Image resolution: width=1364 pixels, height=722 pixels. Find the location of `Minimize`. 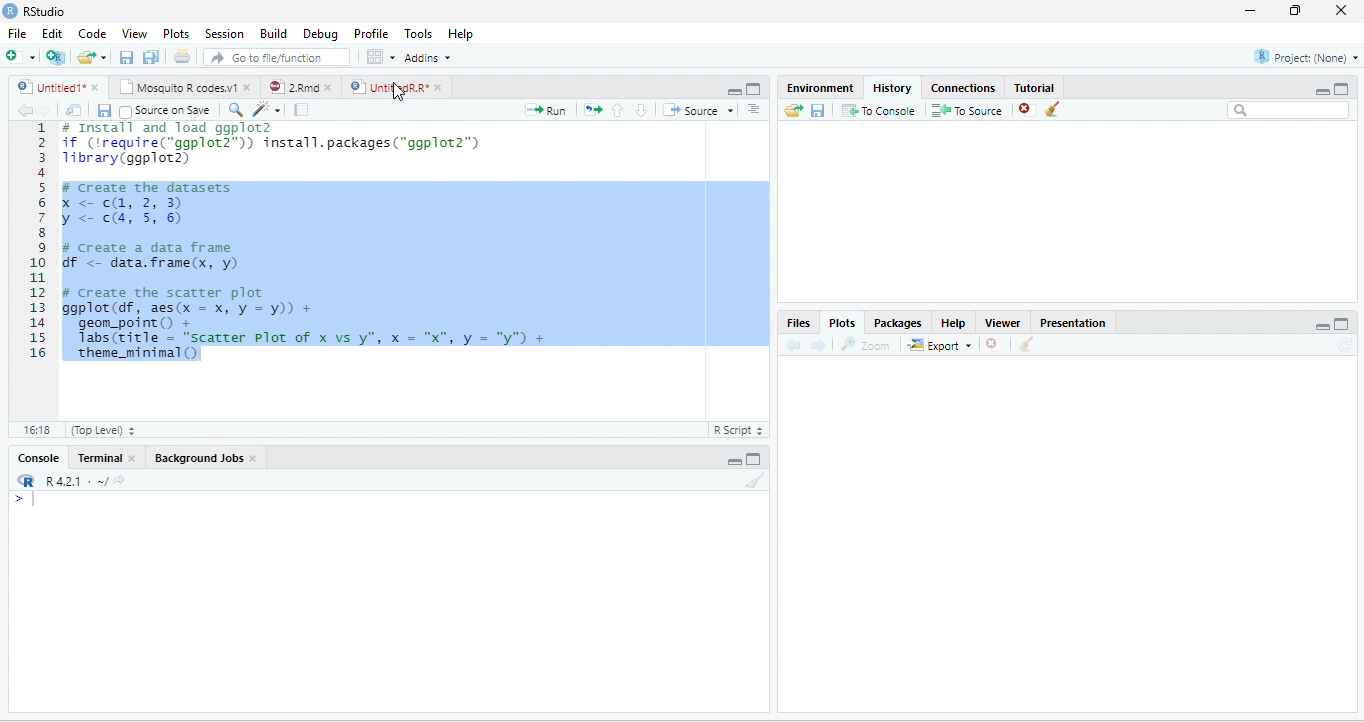

Minimize is located at coordinates (1322, 91).